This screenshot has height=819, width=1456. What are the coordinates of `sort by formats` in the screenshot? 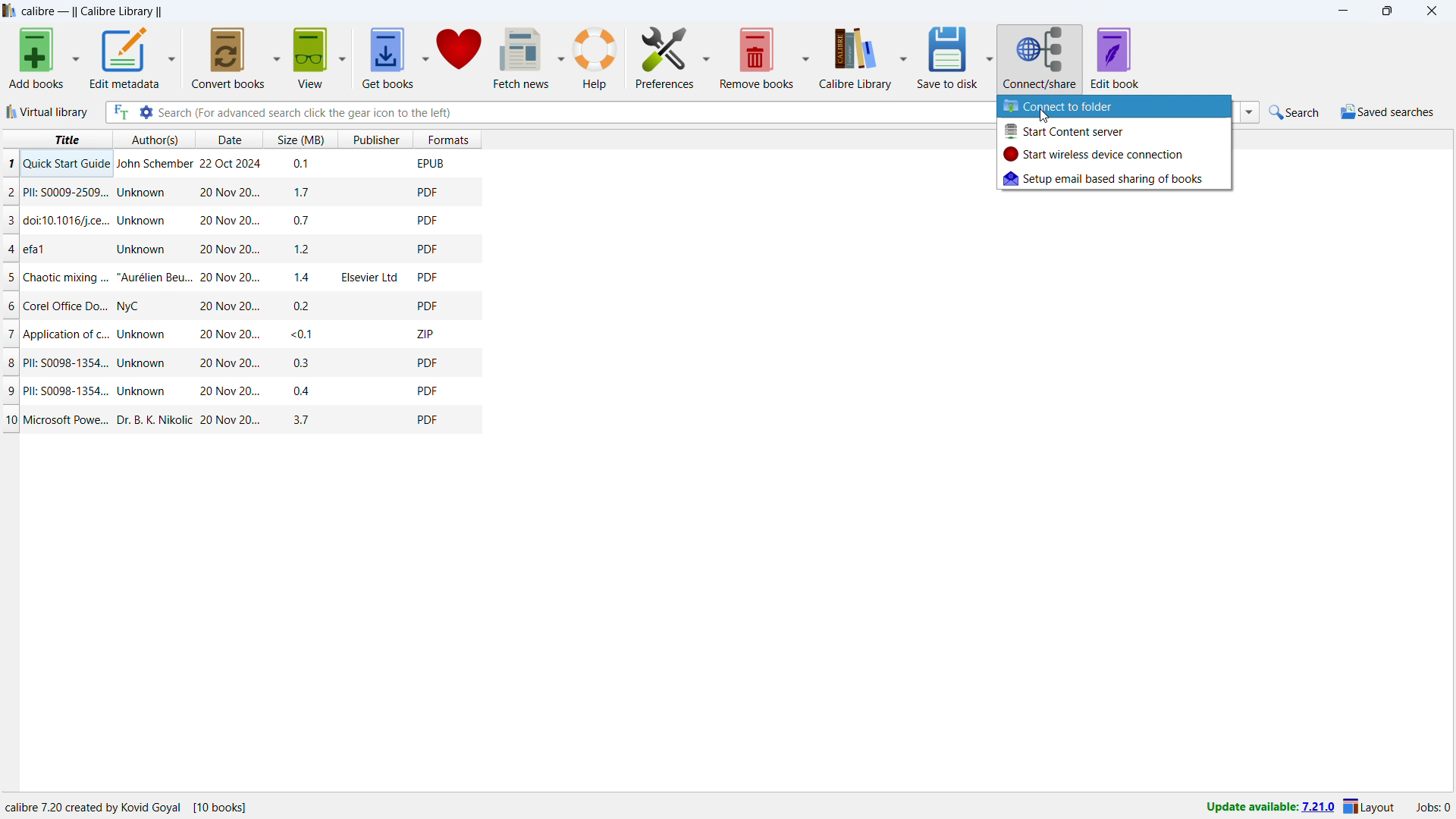 It's located at (447, 139).